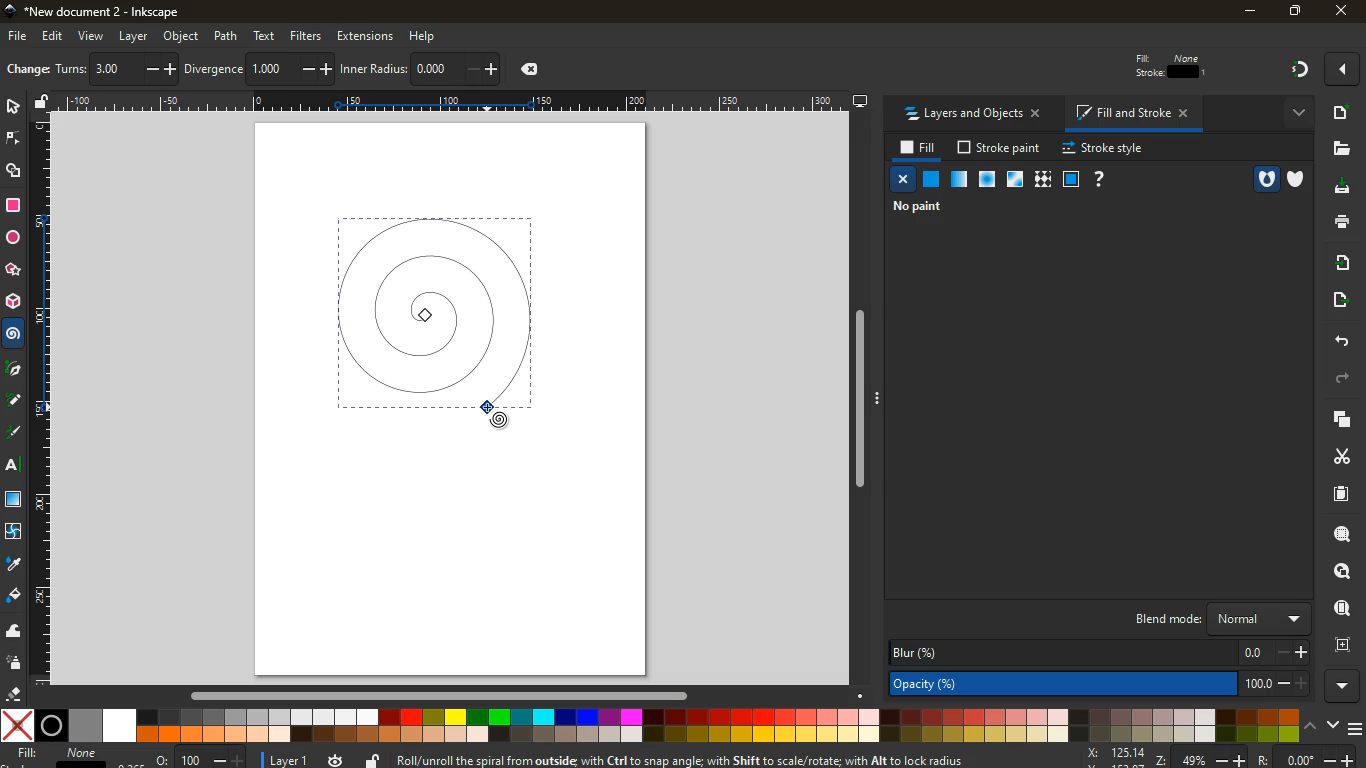 This screenshot has height=768, width=1366. What do you see at coordinates (1333, 457) in the screenshot?
I see `cut` at bounding box center [1333, 457].